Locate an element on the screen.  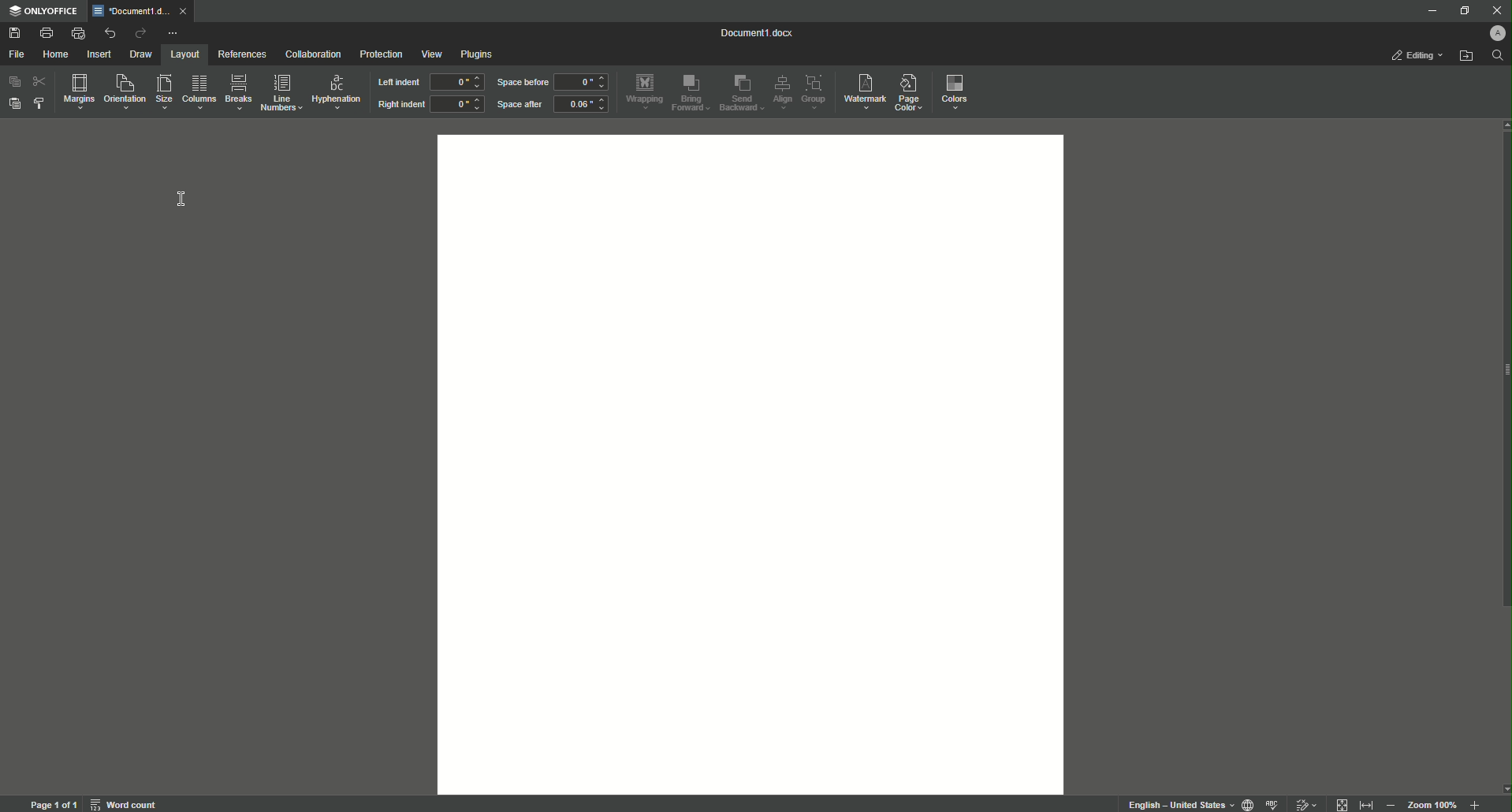
0 is located at coordinates (456, 81).